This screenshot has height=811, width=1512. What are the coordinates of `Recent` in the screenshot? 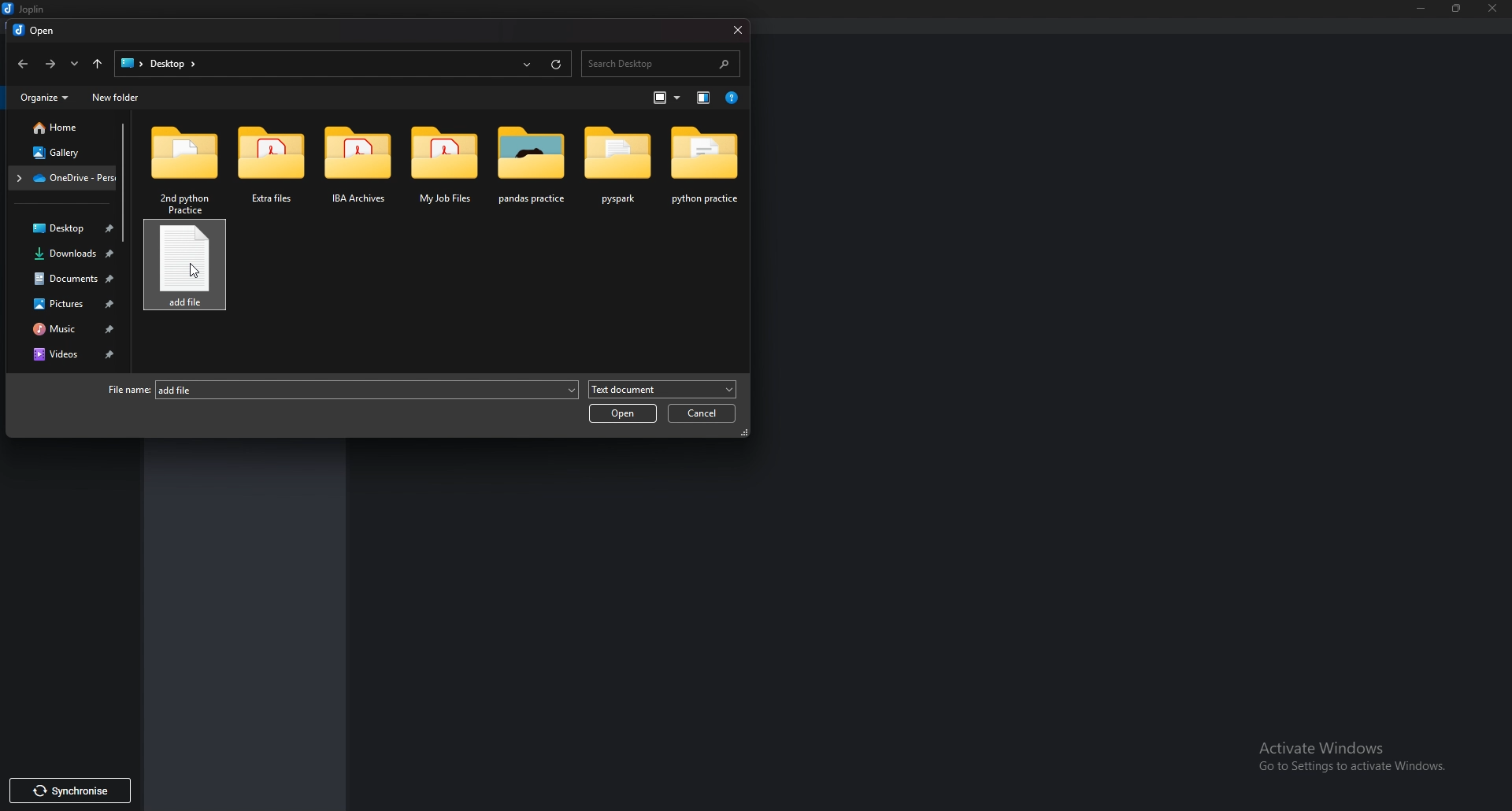 It's located at (76, 65).